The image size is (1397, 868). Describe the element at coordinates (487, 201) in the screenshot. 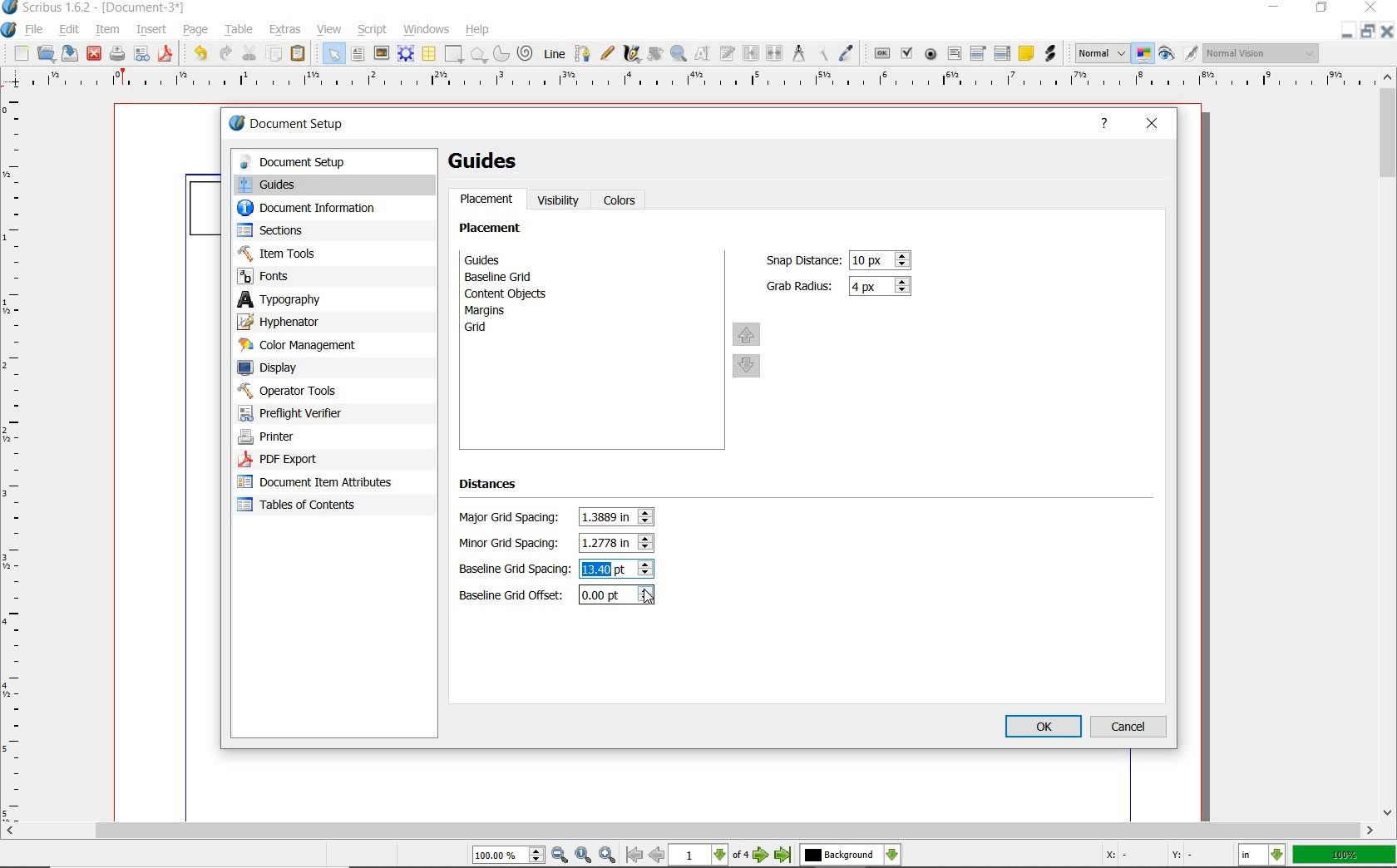

I see `placement` at that location.